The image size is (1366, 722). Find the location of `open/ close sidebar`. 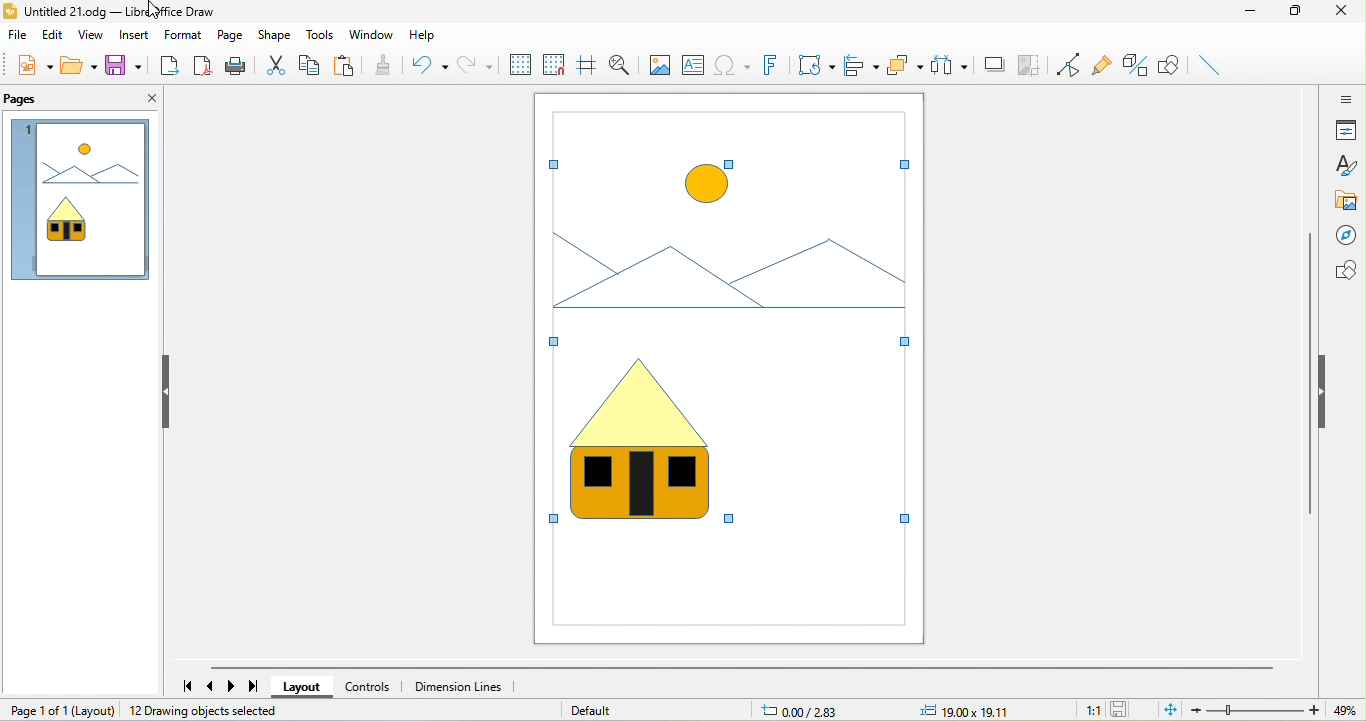

open/ close sidebar is located at coordinates (1344, 98).